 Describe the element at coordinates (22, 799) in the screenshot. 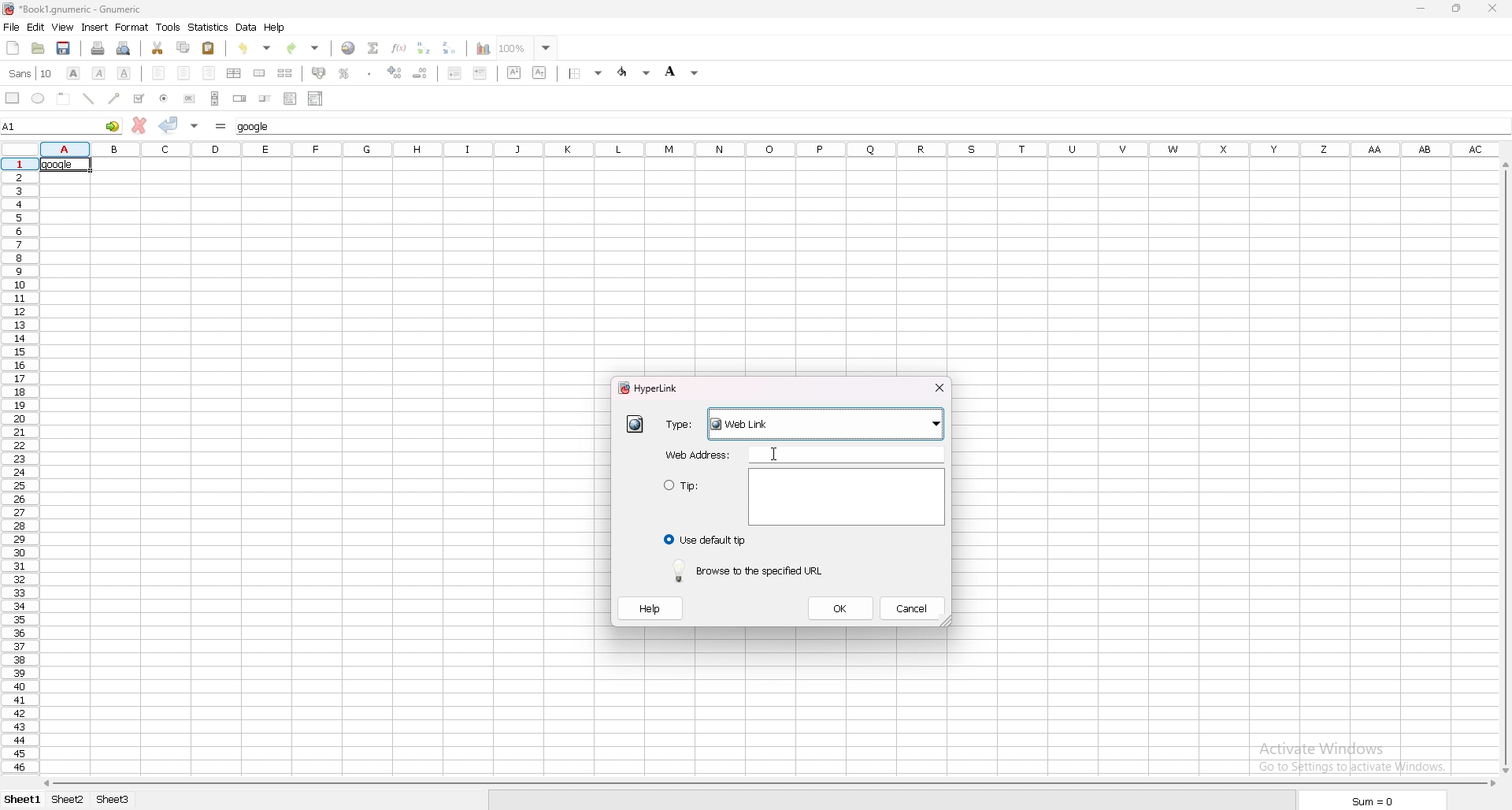

I see `Sheet 1` at that location.